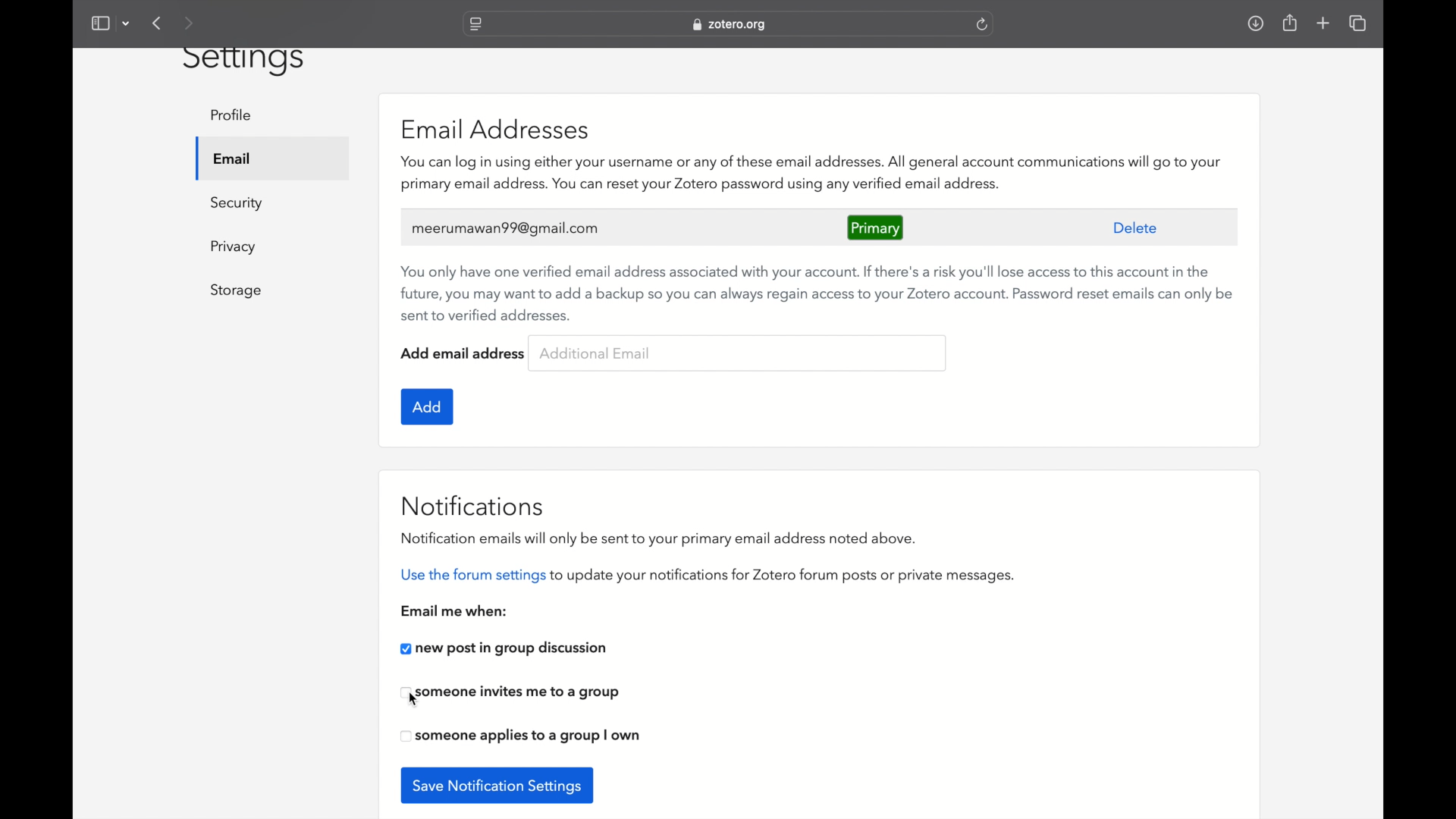  I want to click on email me when:, so click(452, 611).